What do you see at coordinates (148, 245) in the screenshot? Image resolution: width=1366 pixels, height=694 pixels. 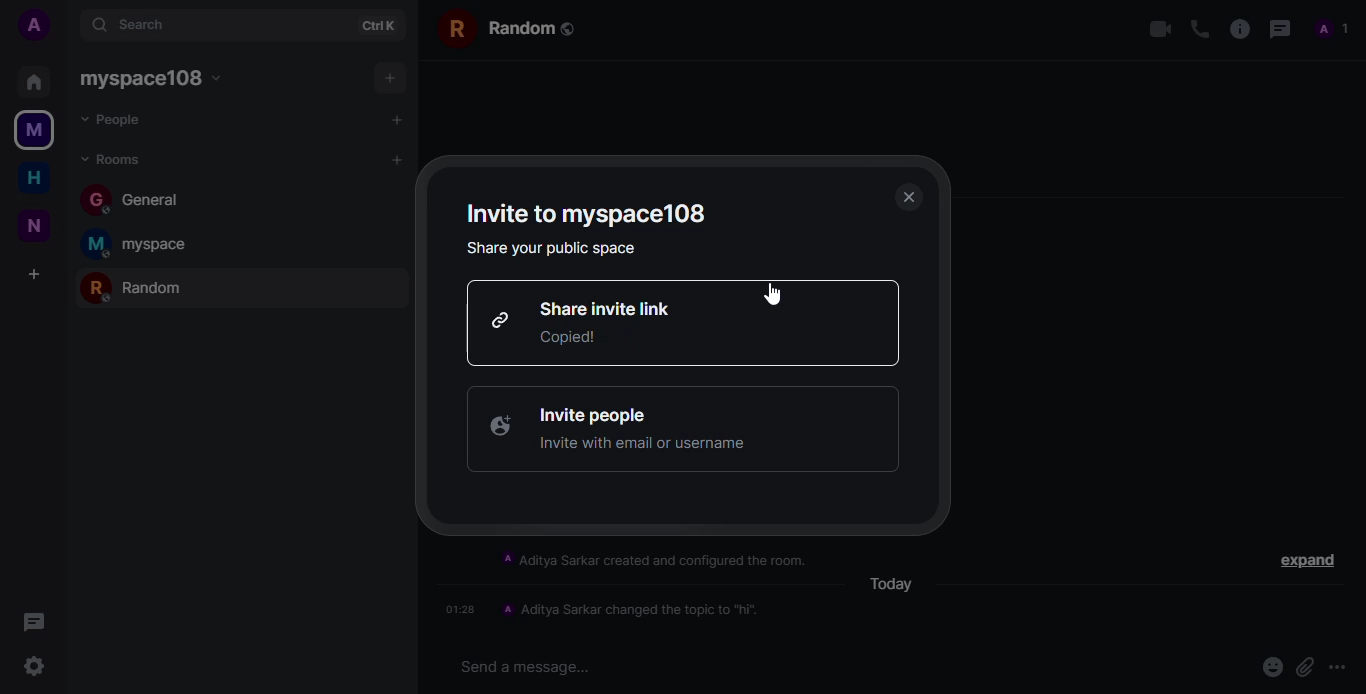 I see `myspace` at bounding box center [148, 245].